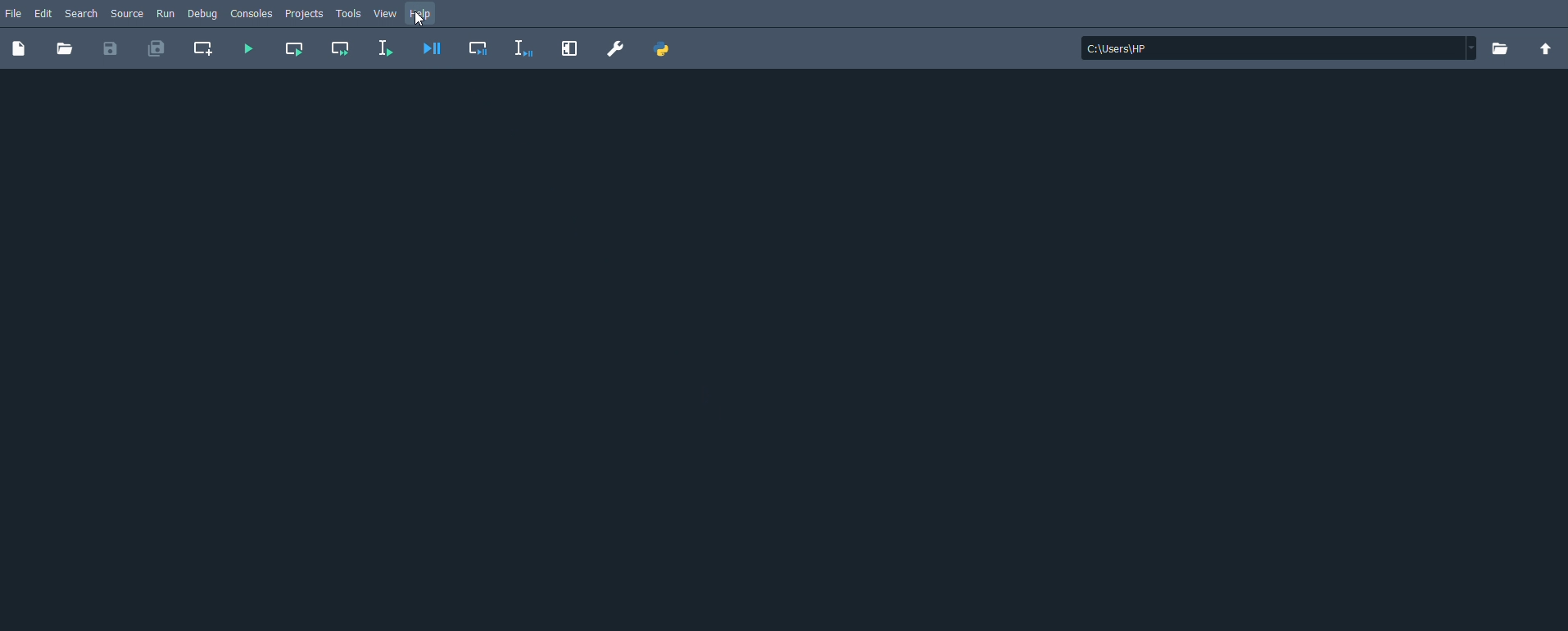  I want to click on Run file, so click(247, 48).